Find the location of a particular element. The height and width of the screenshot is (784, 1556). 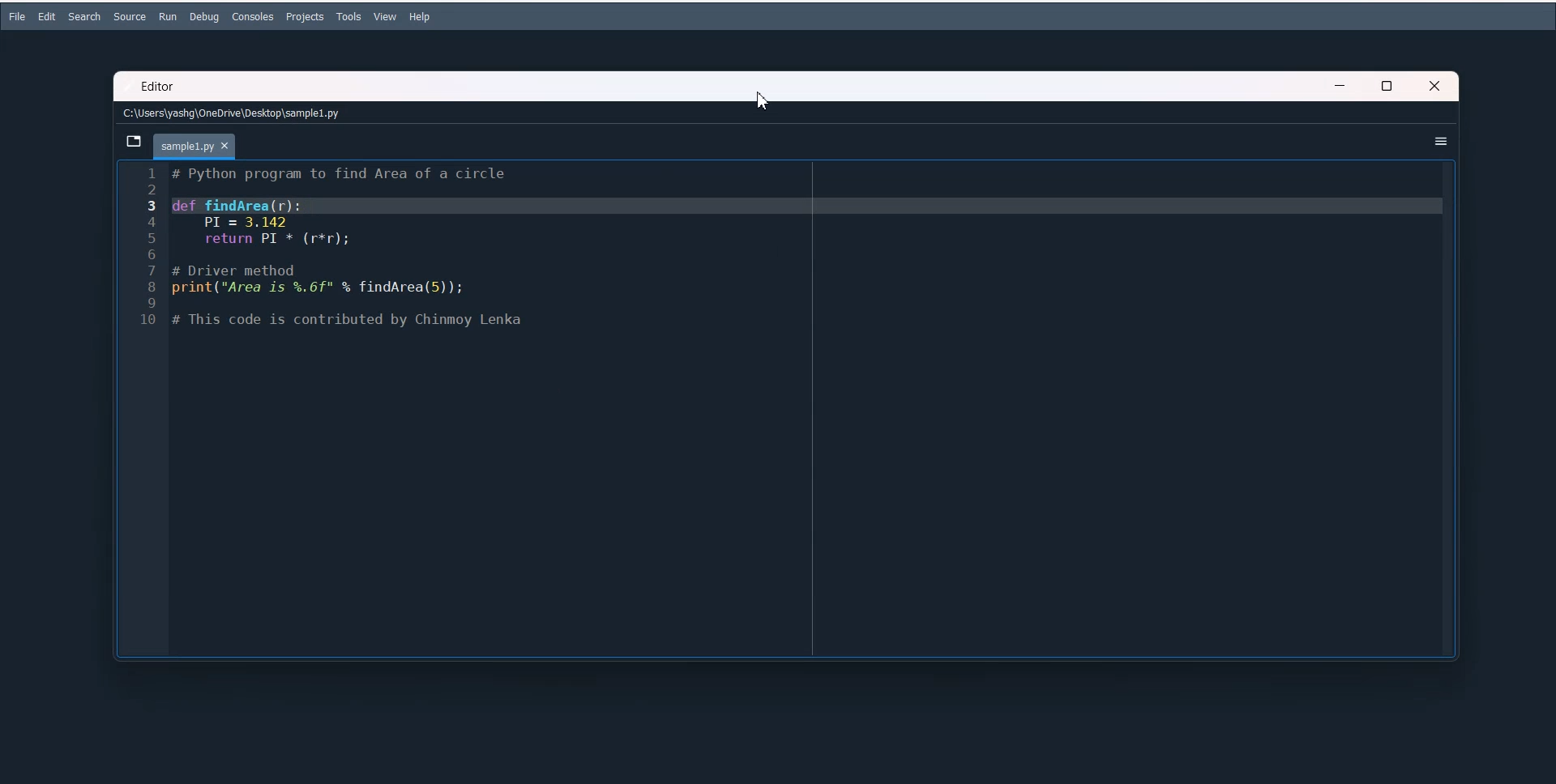

Run is located at coordinates (168, 16).